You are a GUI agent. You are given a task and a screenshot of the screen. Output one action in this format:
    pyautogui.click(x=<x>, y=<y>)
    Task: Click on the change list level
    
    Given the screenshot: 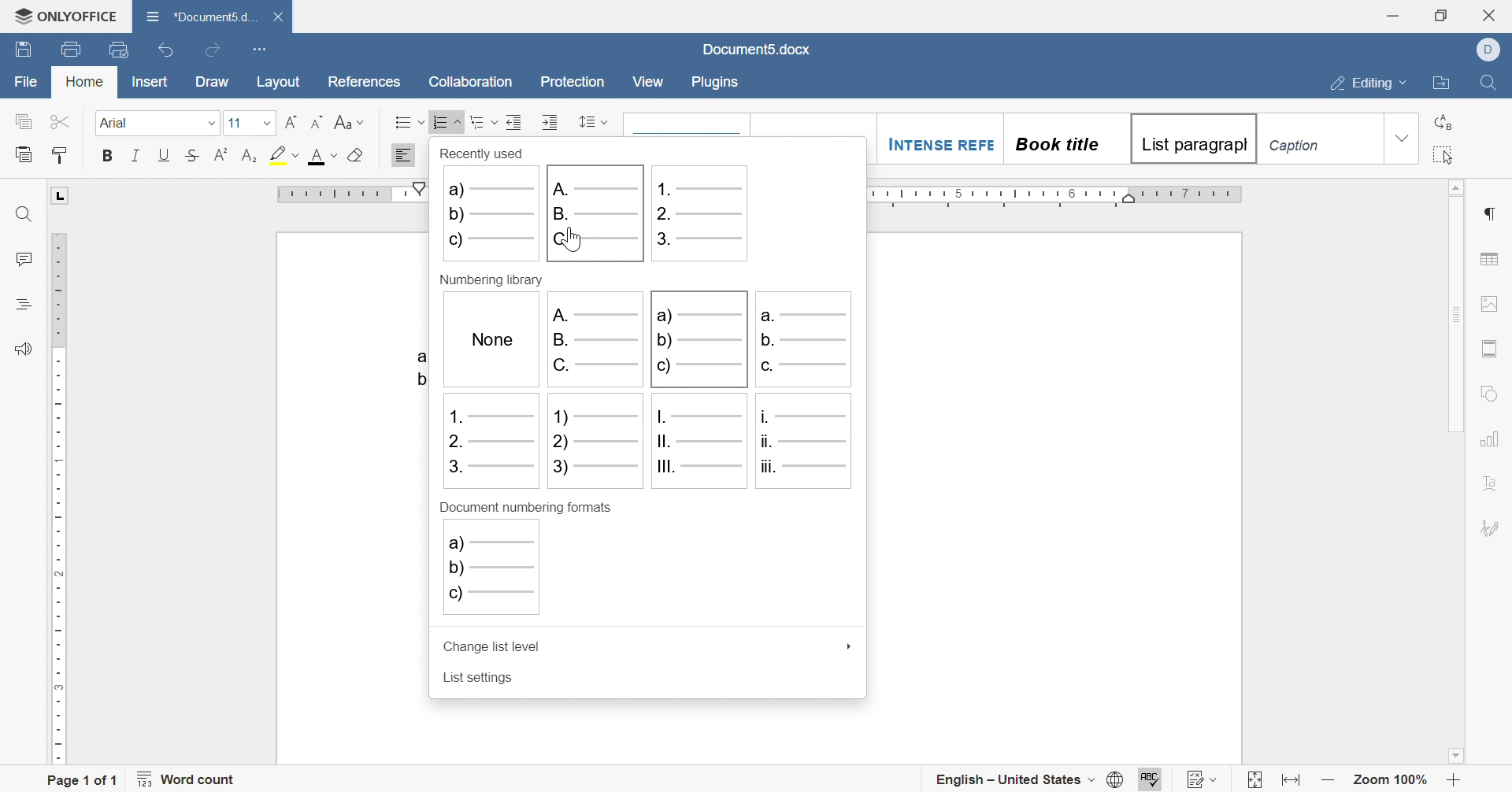 What is the action you would take?
    pyautogui.click(x=496, y=649)
    